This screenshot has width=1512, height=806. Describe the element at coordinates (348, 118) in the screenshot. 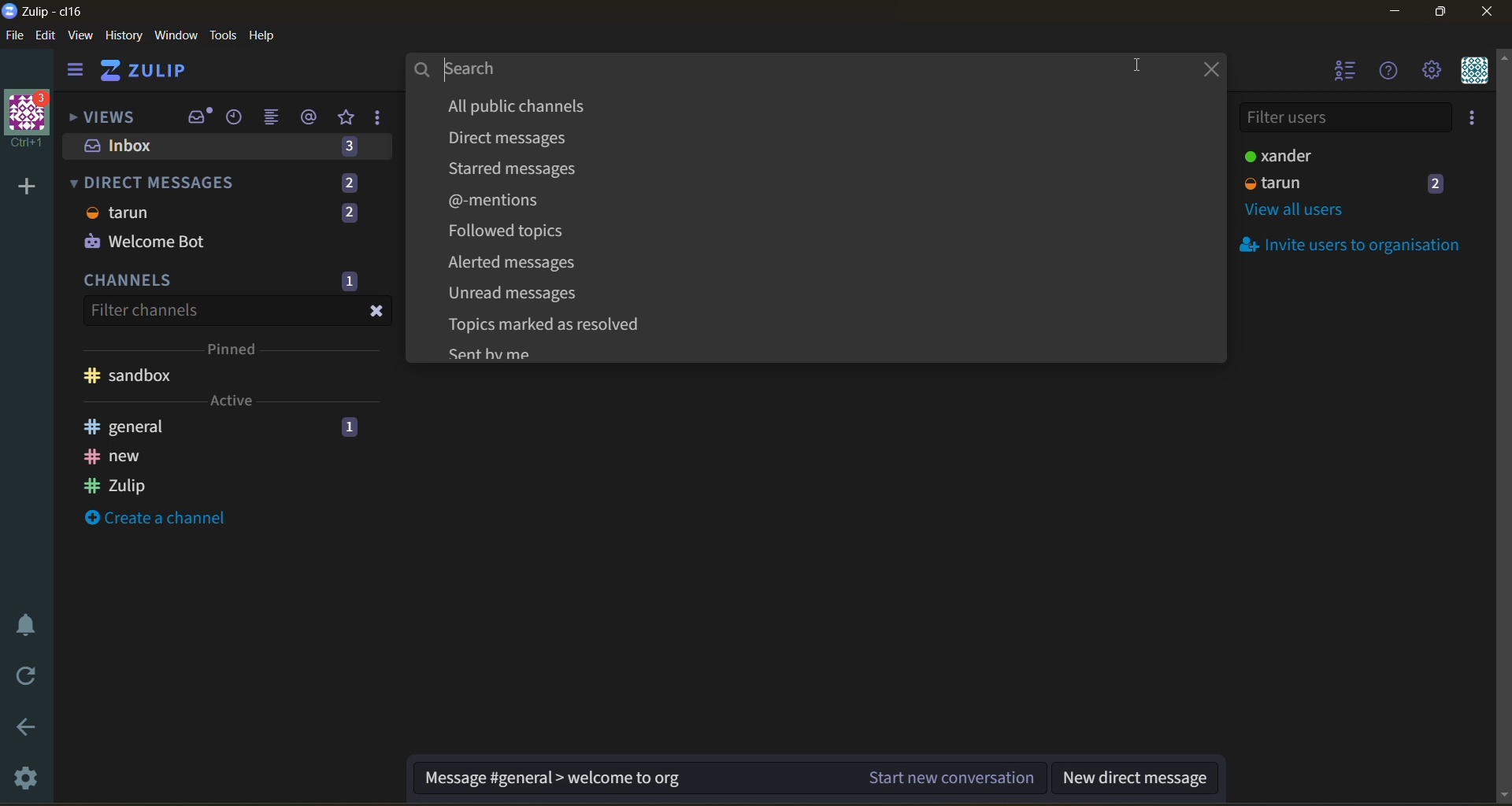

I see `favorites` at that location.